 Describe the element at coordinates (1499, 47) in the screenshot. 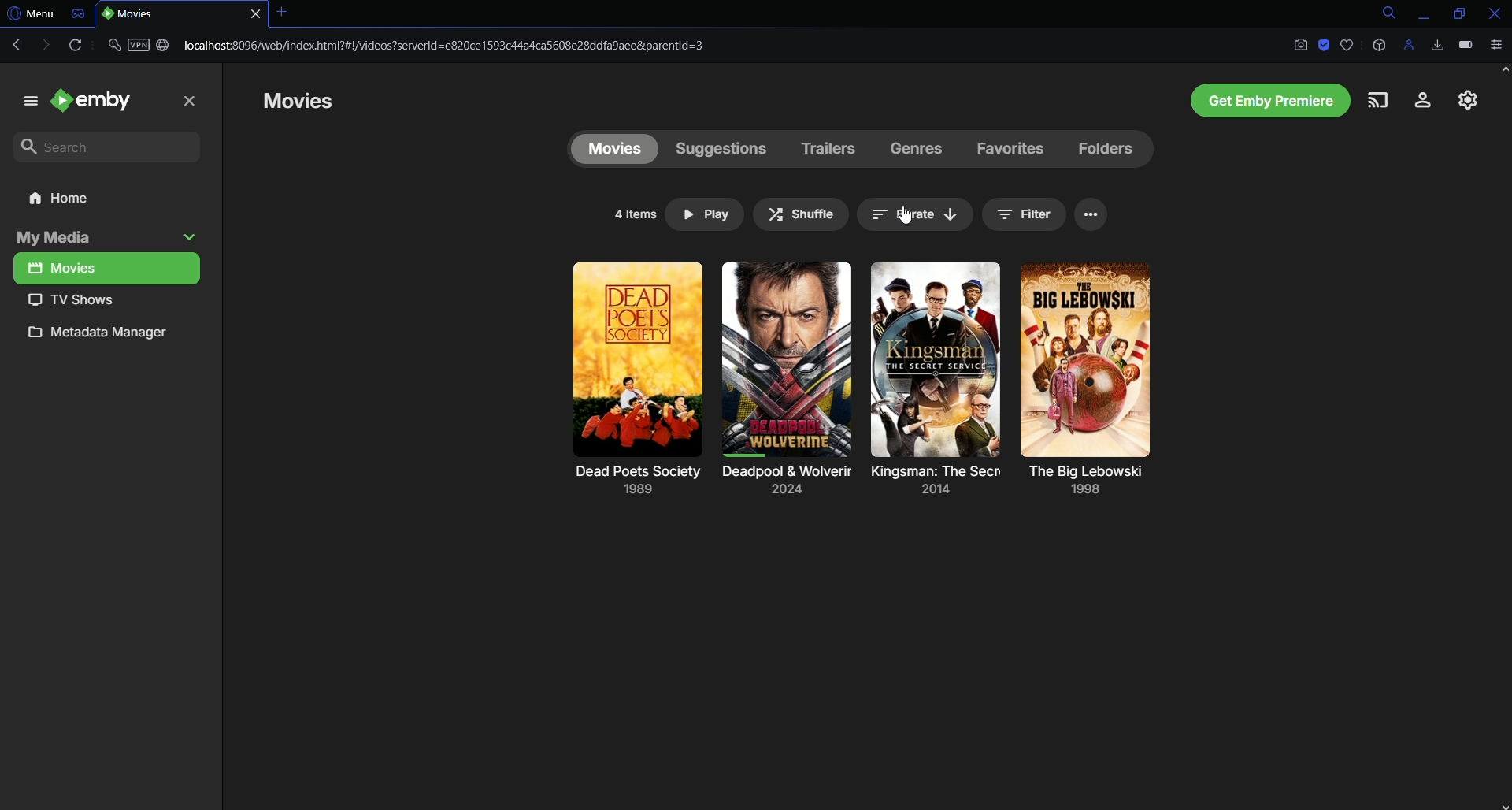

I see `Options` at that location.